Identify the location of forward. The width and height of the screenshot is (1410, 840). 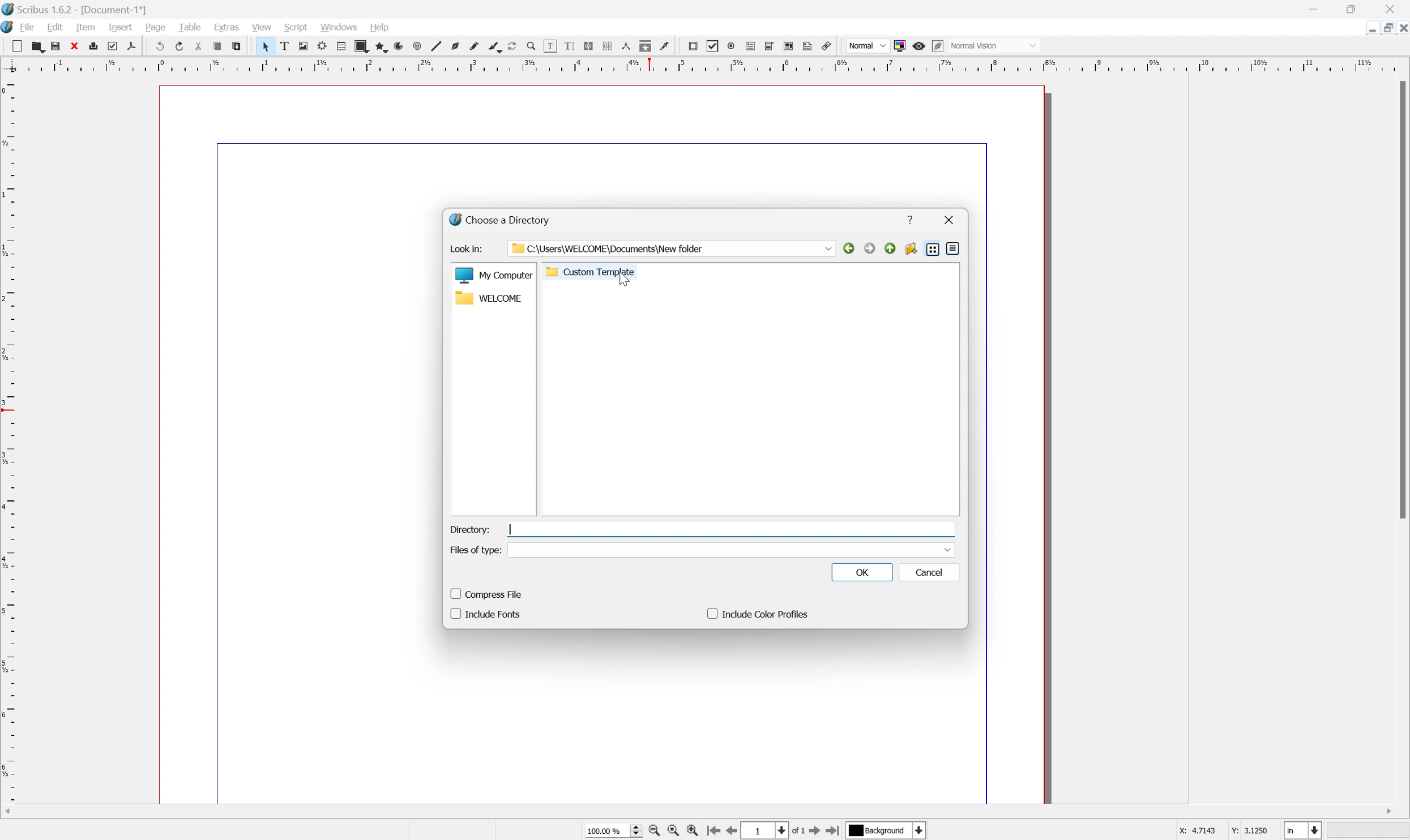
(868, 250).